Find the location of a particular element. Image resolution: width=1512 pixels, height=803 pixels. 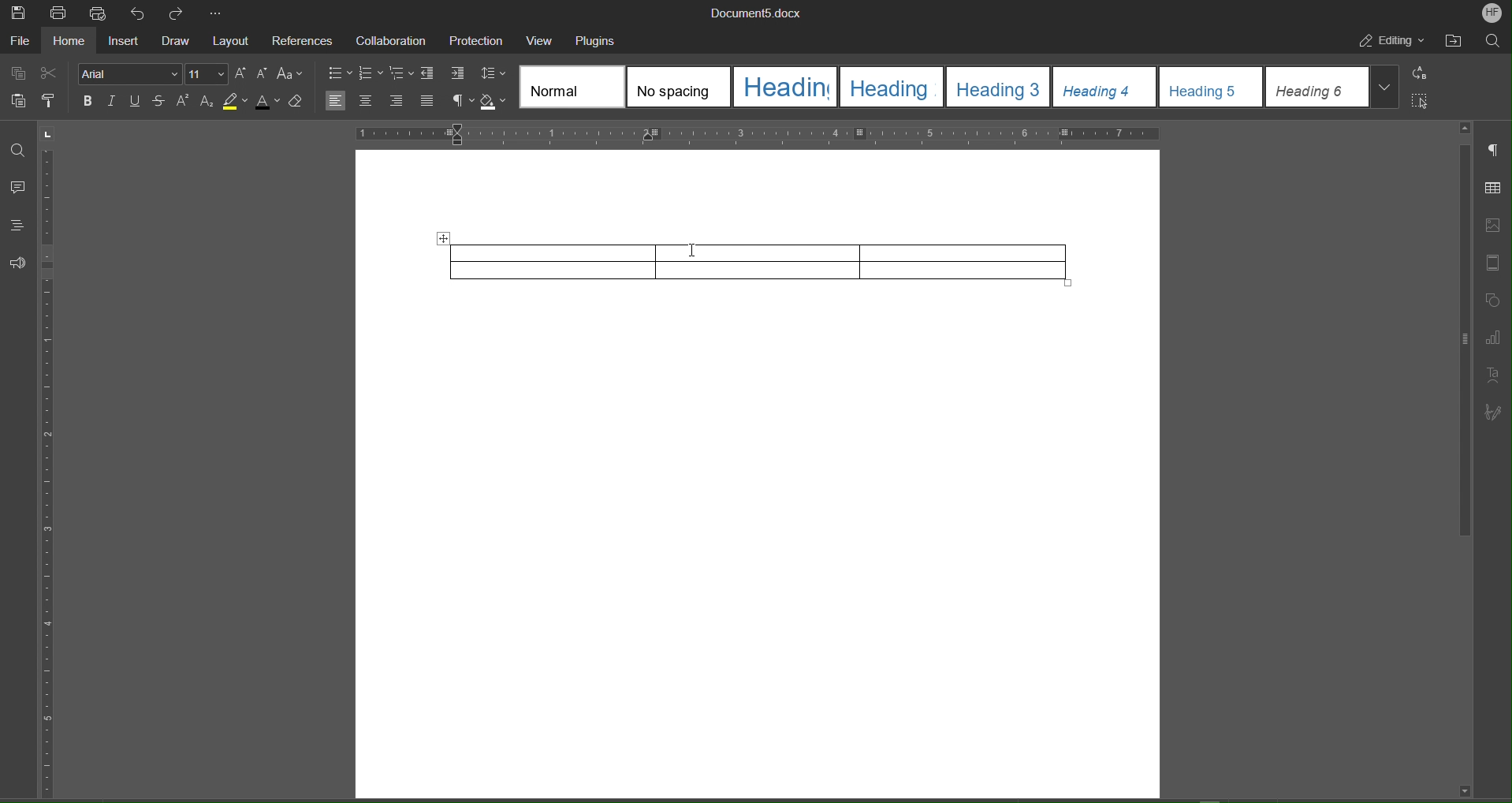

Insert is located at coordinates (127, 43).